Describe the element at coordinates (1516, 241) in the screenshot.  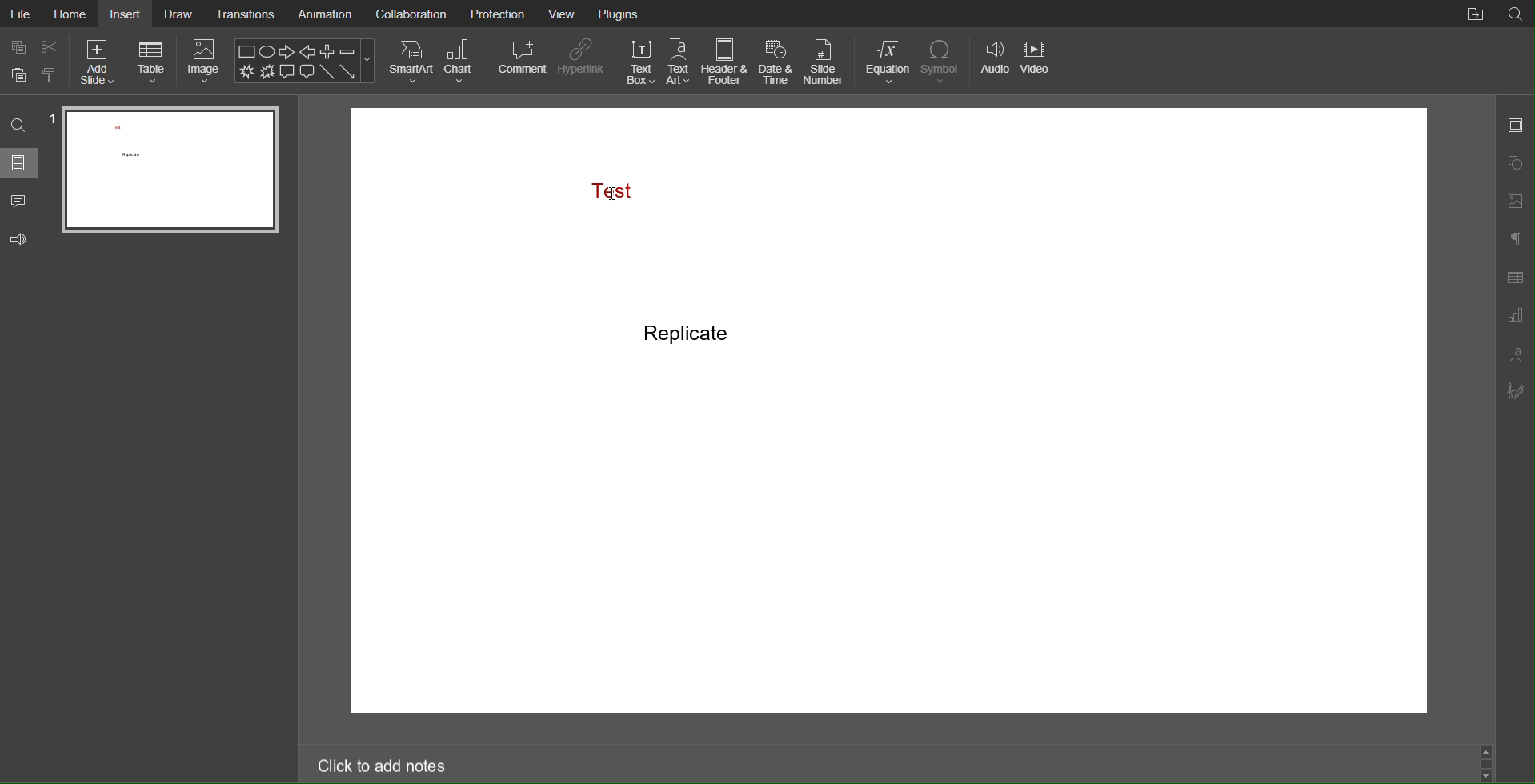
I see `Paragraph Settings` at that location.